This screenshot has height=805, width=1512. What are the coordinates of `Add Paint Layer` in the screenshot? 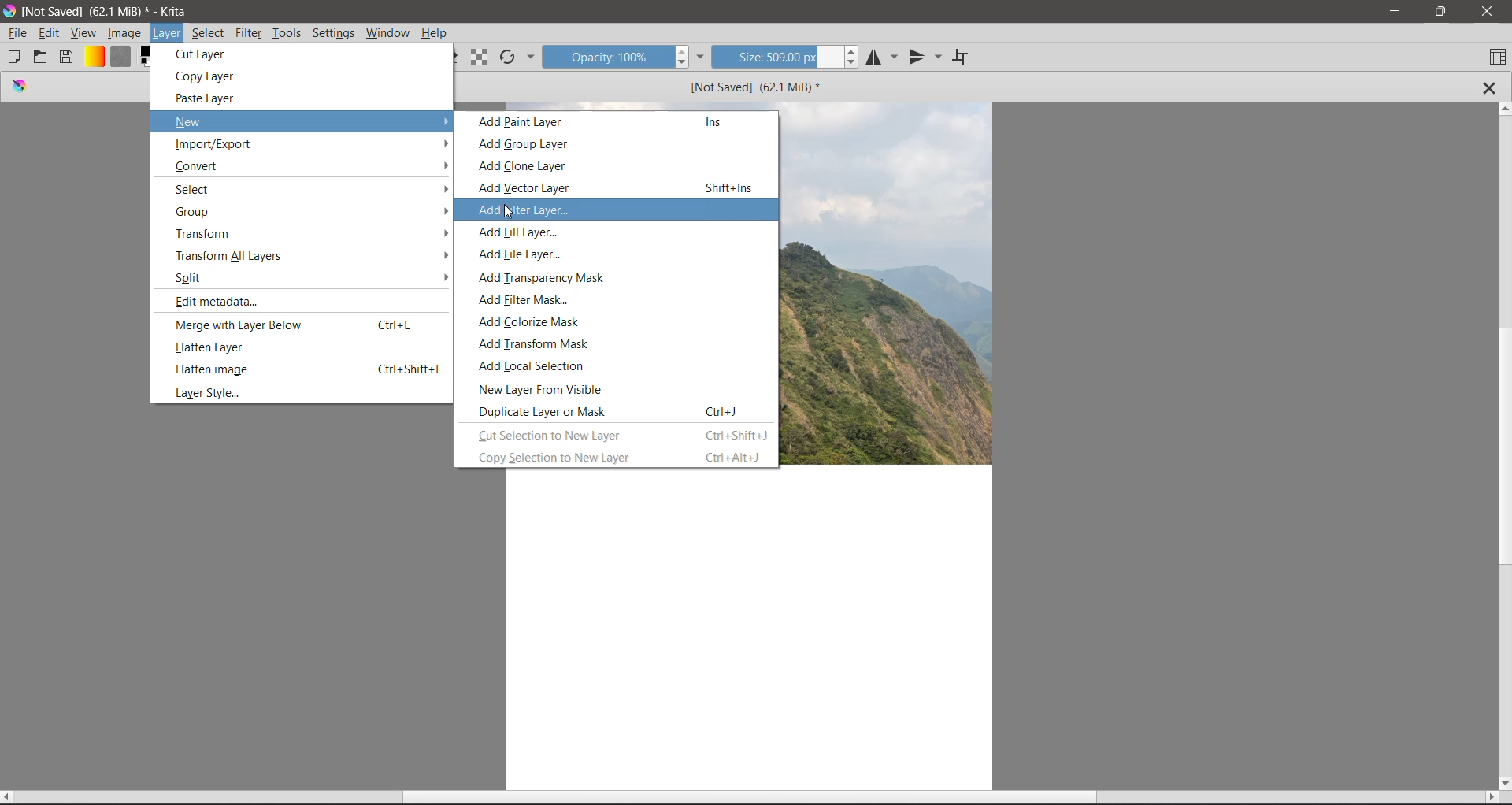 It's located at (617, 122).